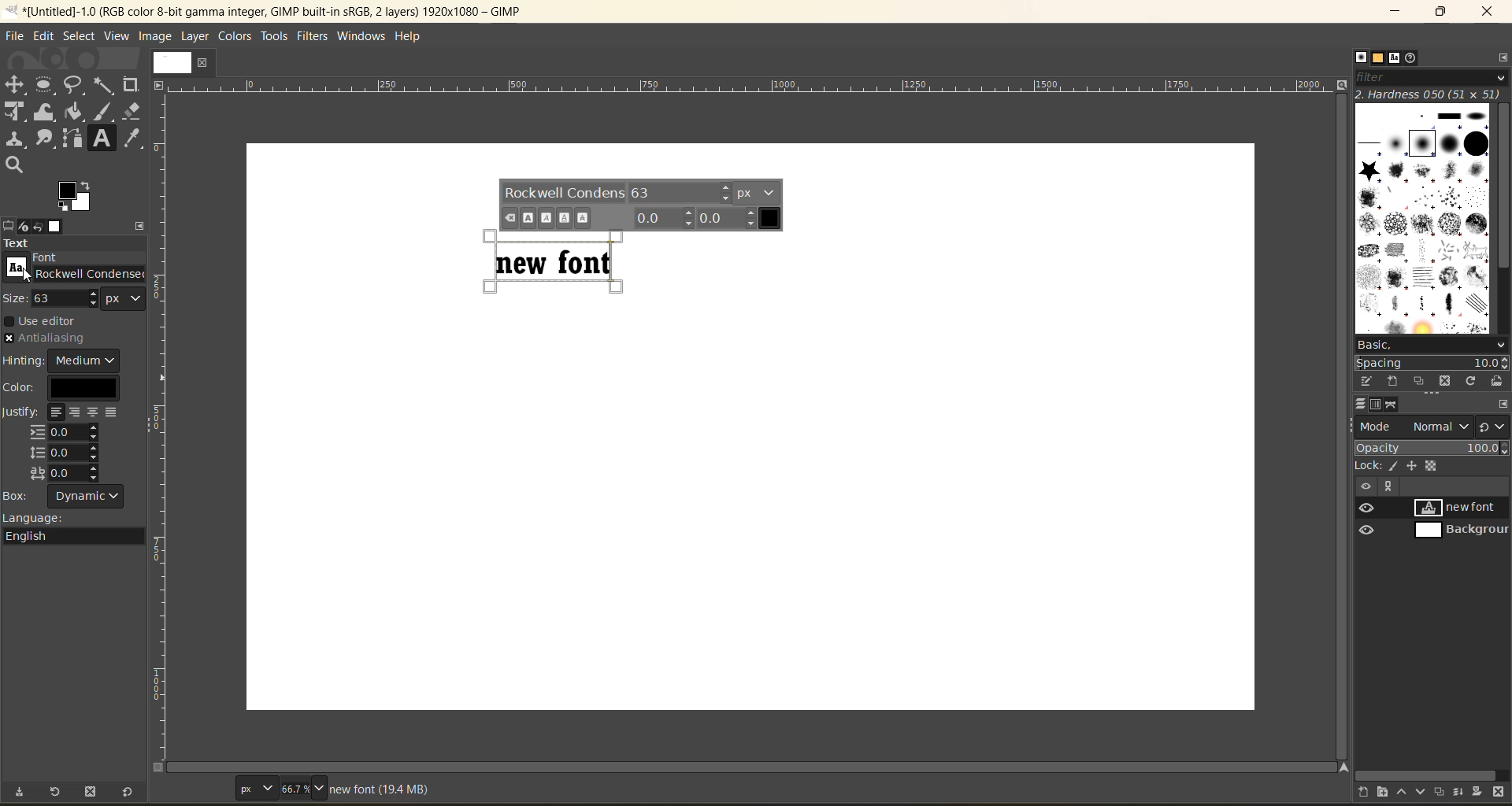 The image size is (1512, 806). Describe the element at coordinates (201, 789) in the screenshot. I see `coordinates` at that location.